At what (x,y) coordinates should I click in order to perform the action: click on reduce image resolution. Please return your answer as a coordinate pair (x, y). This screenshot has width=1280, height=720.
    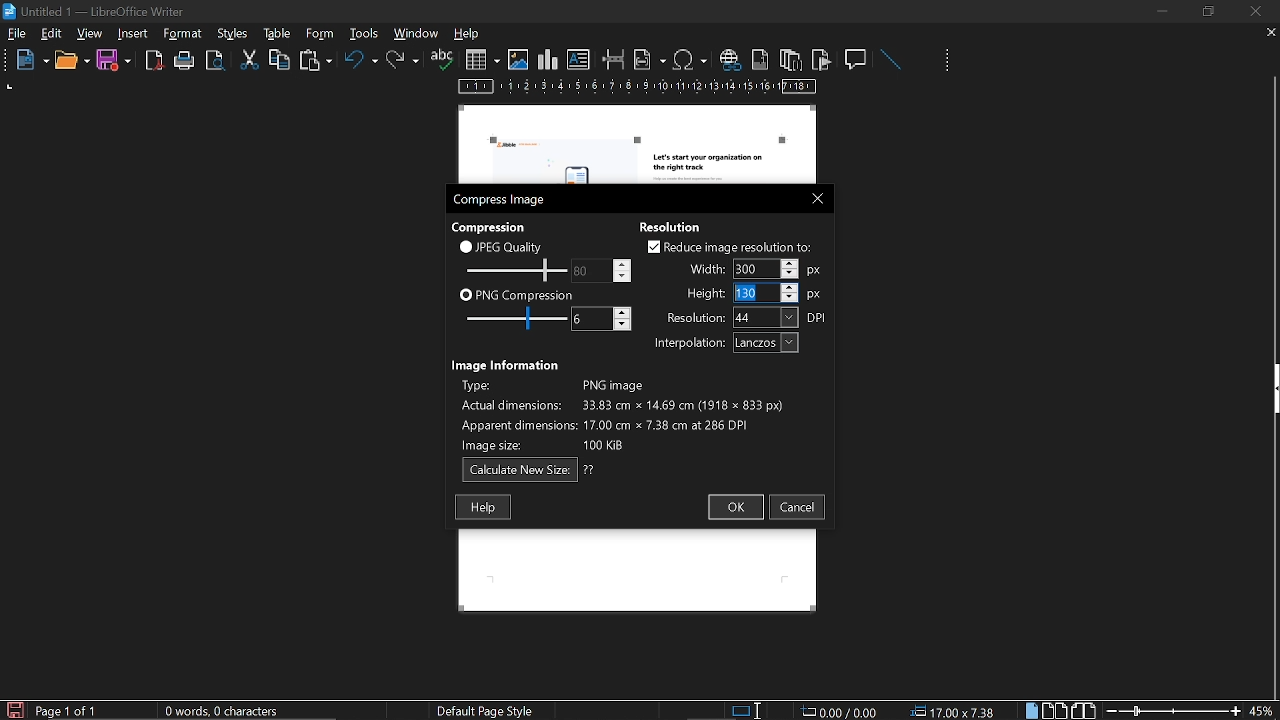
    Looking at the image, I should click on (730, 246).